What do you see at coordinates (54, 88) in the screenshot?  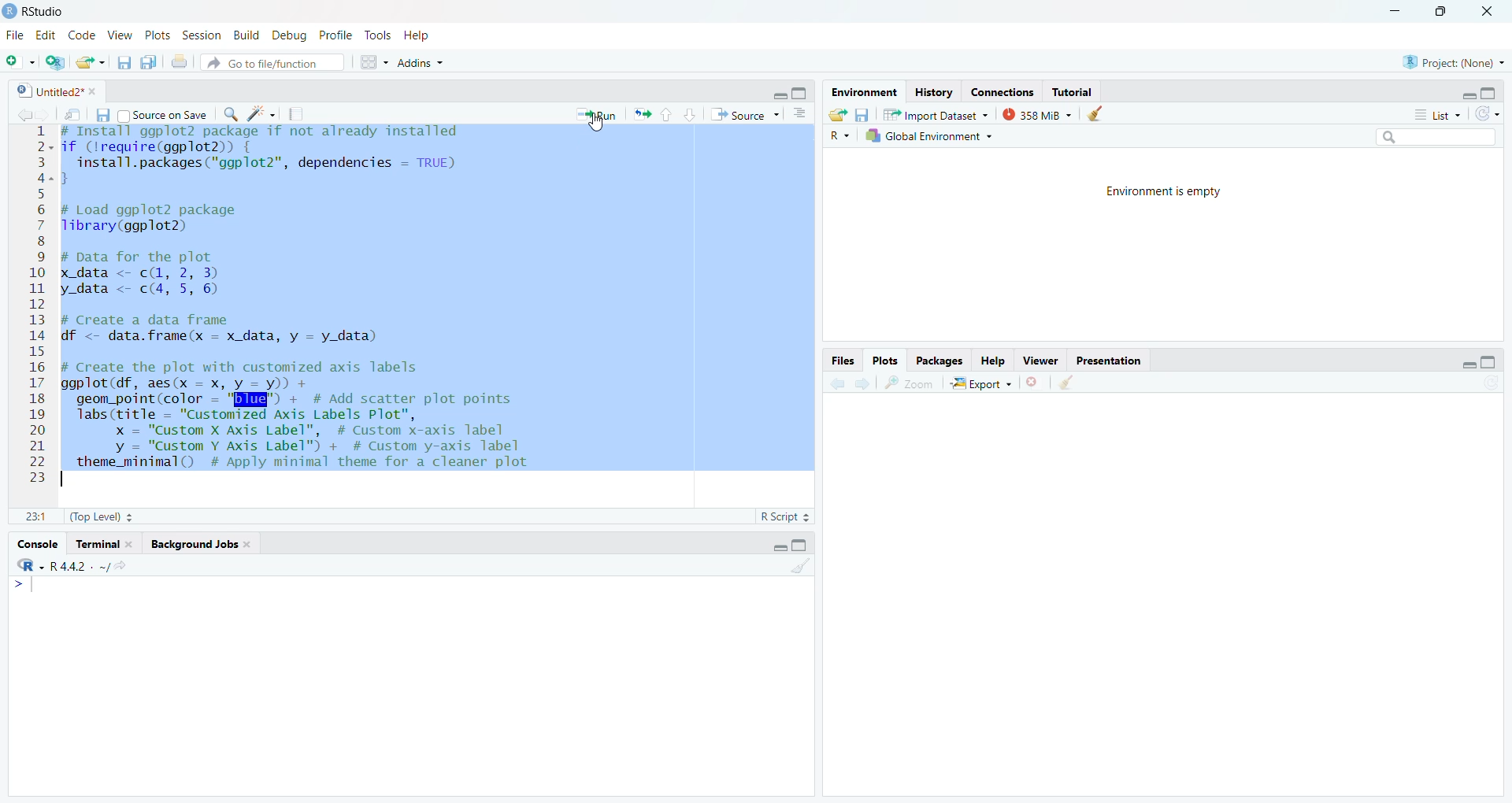 I see `| Untitled2* *` at bounding box center [54, 88].